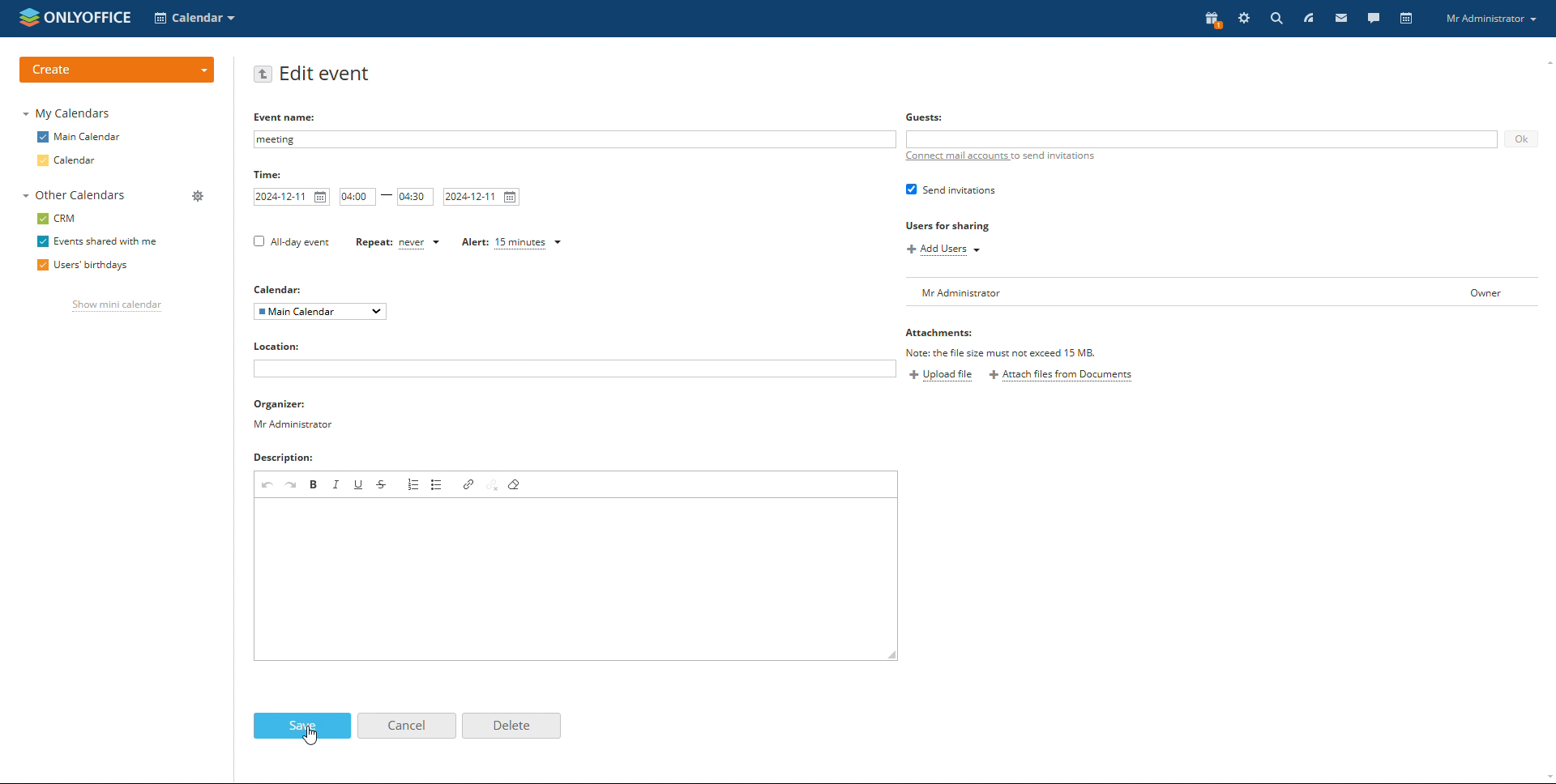 The width and height of the screenshot is (1556, 784). What do you see at coordinates (92, 22) in the screenshot?
I see `onlyoffice` at bounding box center [92, 22].